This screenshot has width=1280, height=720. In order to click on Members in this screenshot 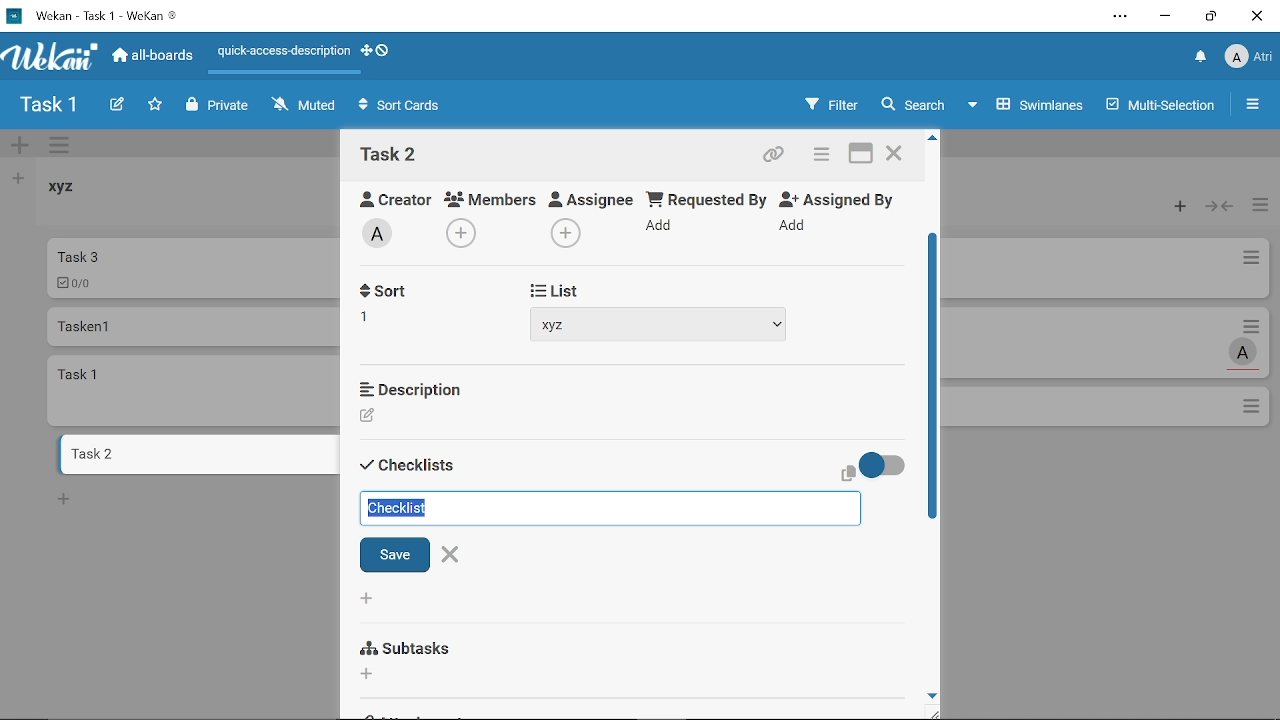, I will do `click(491, 198)`.